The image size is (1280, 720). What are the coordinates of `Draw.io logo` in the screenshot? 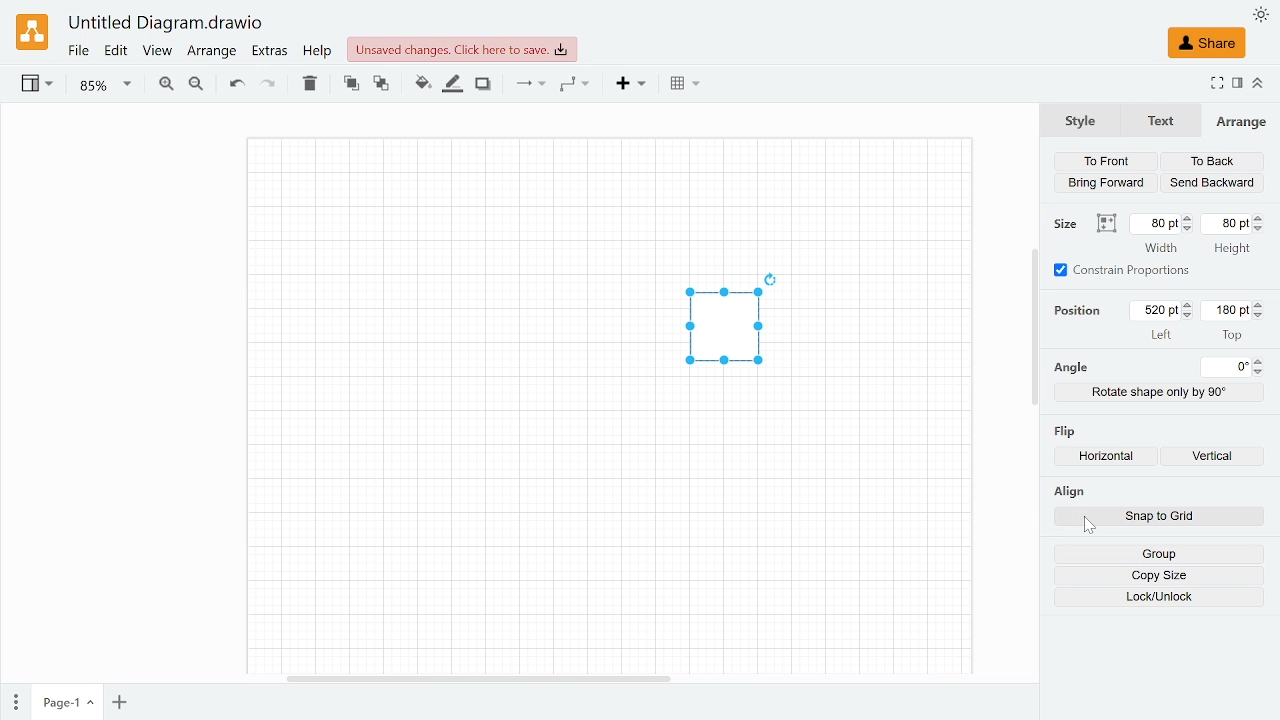 It's located at (34, 31).